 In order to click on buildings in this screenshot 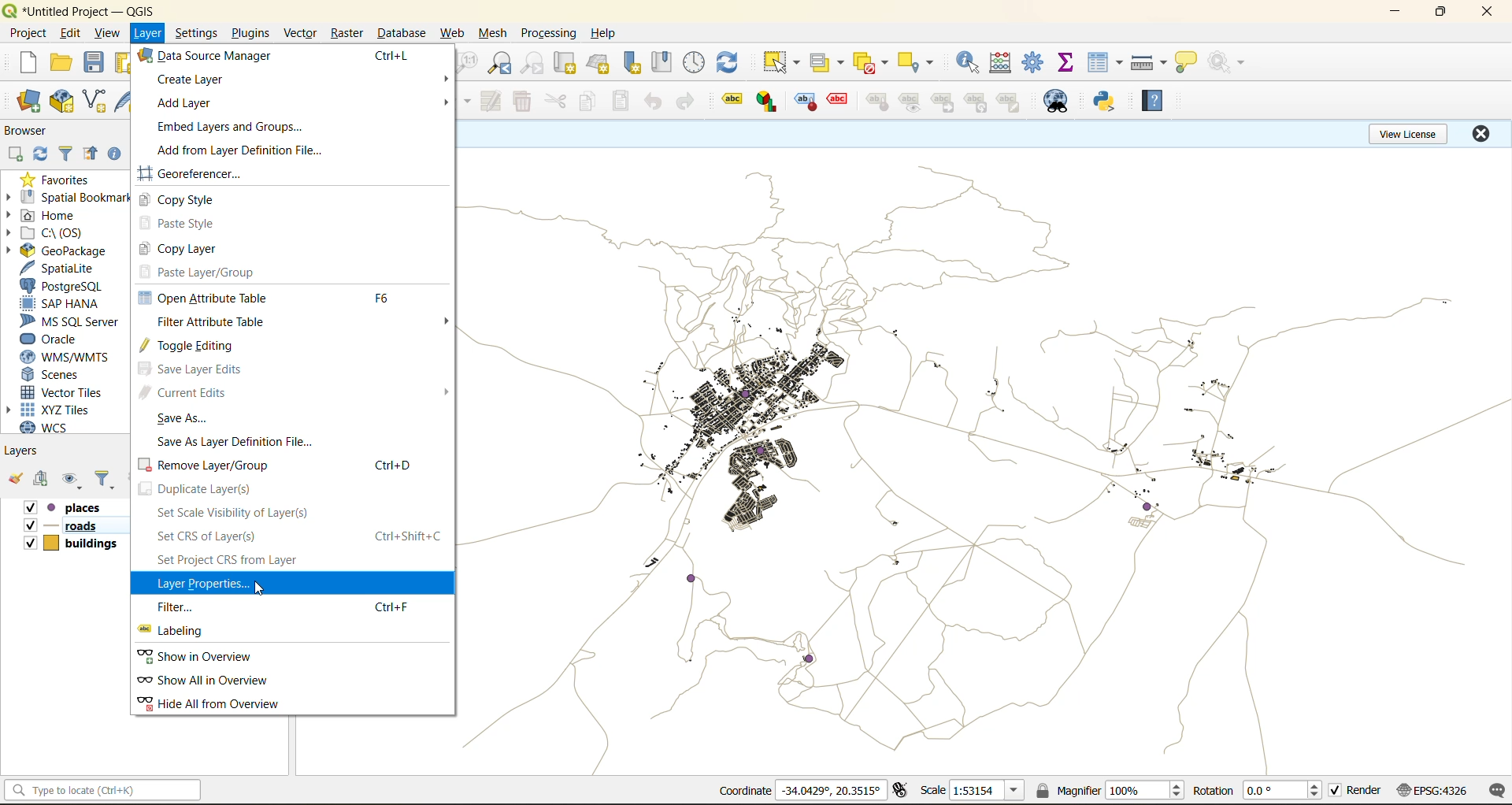, I will do `click(70, 546)`.